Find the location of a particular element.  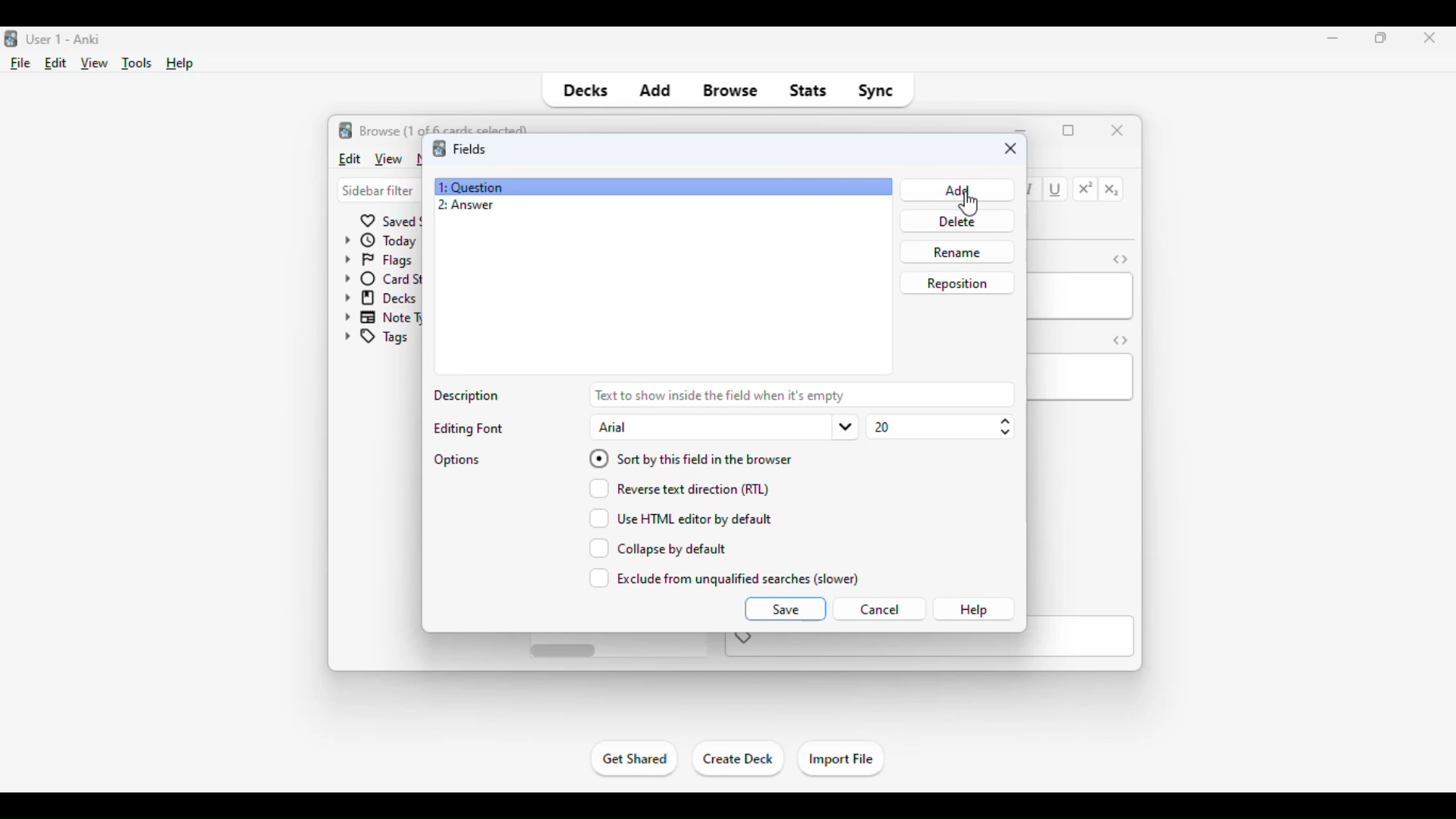

cursor is located at coordinates (968, 205).